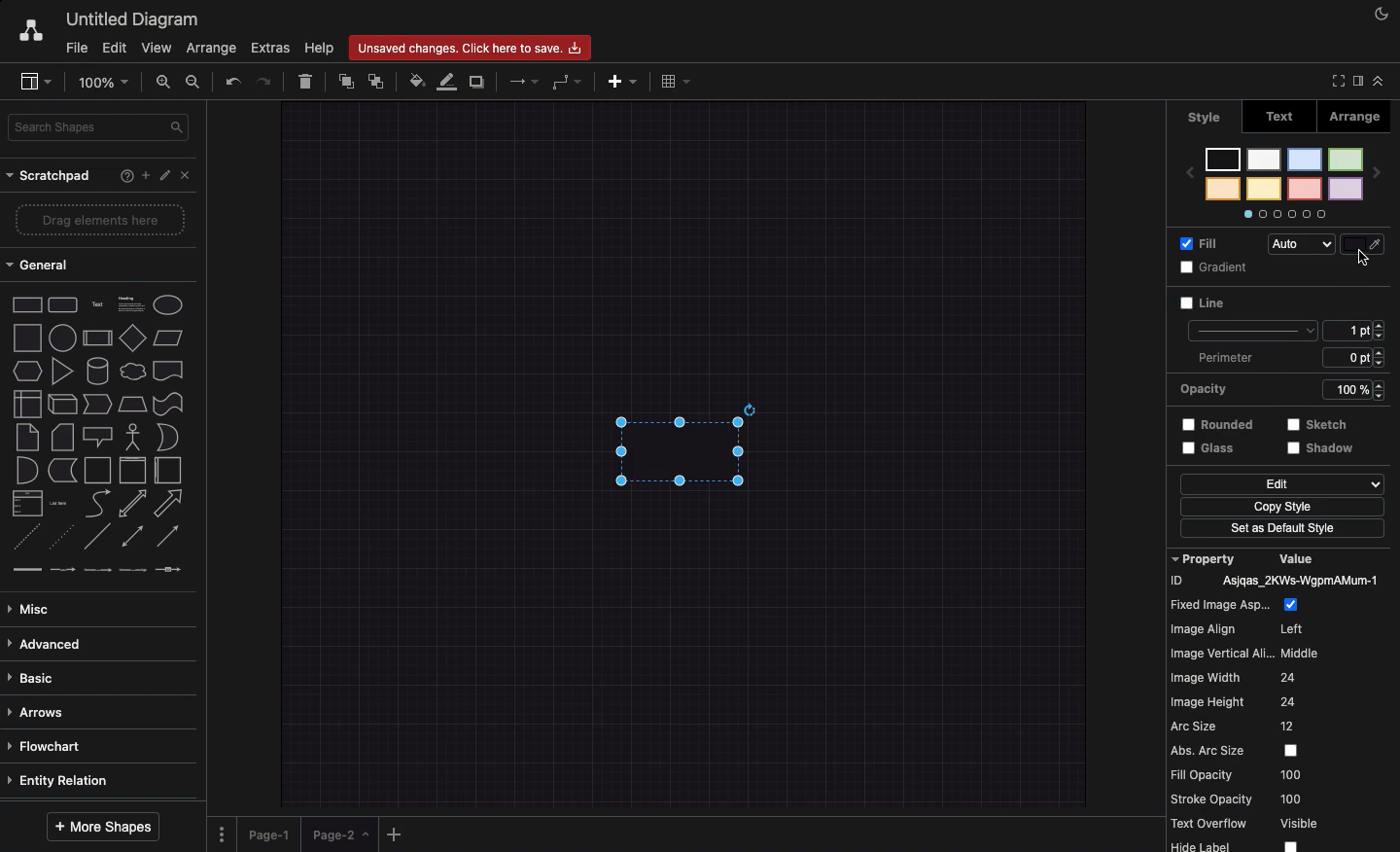 Image resolution: width=1400 pixels, height=852 pixels. What do you see at coordinates (142, 175) in the screenshot?
I see `Add` at bounding box center [142, 175].